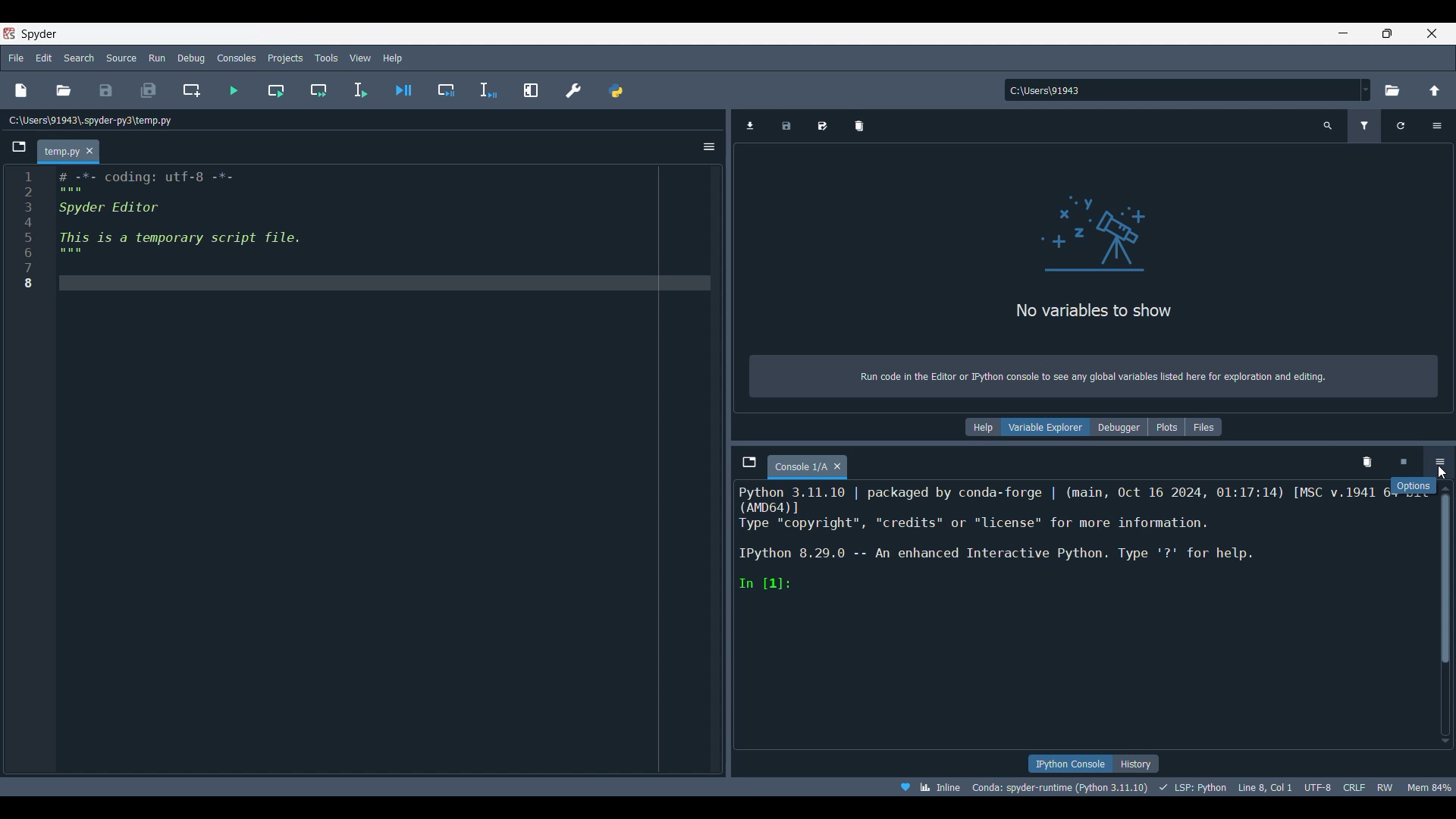 This screenshot has height=819, width=1456. I want to click on Browse tabs, so click(749, 462).